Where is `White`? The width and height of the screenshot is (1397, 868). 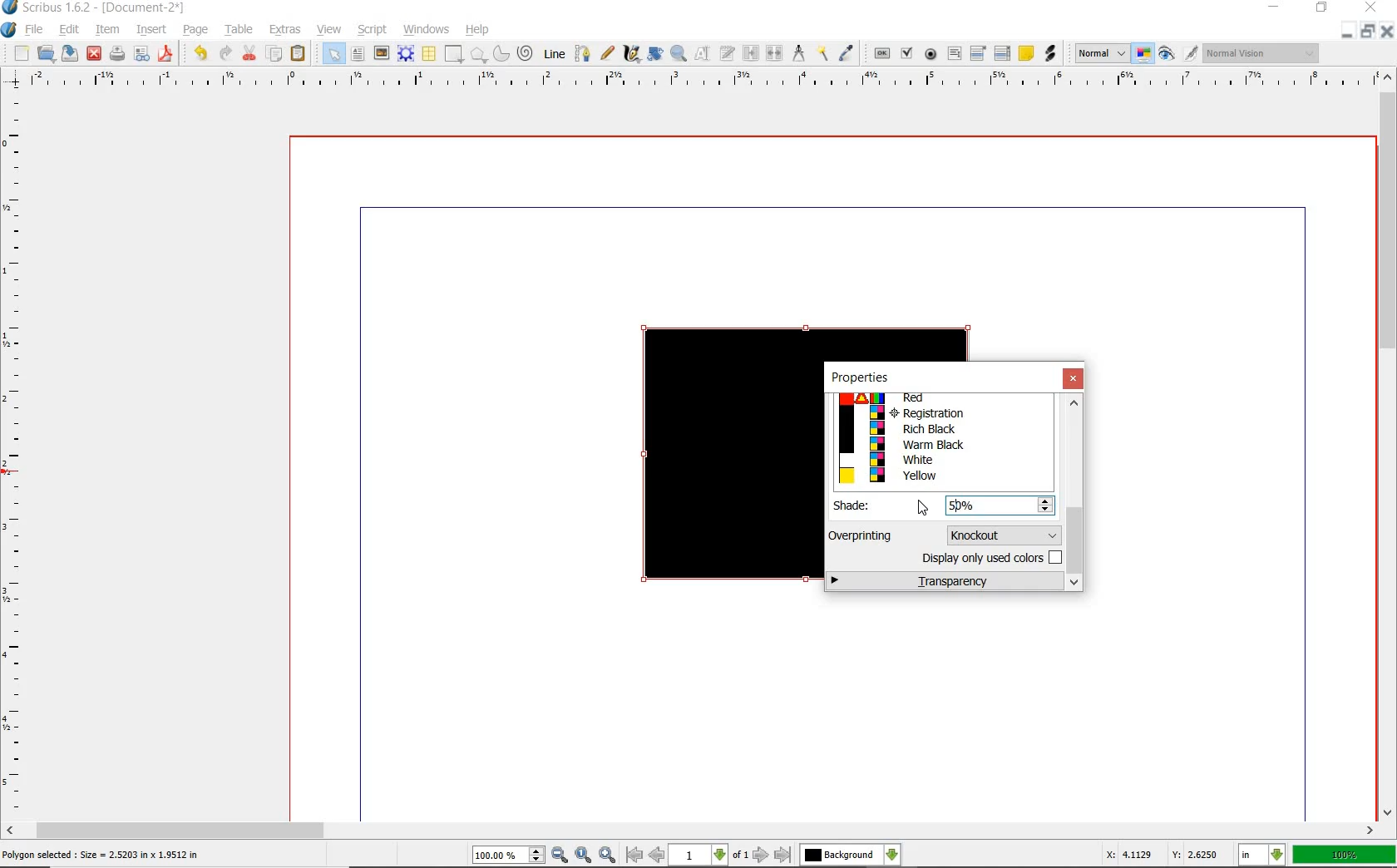 White is located at coordinates (940, 459).